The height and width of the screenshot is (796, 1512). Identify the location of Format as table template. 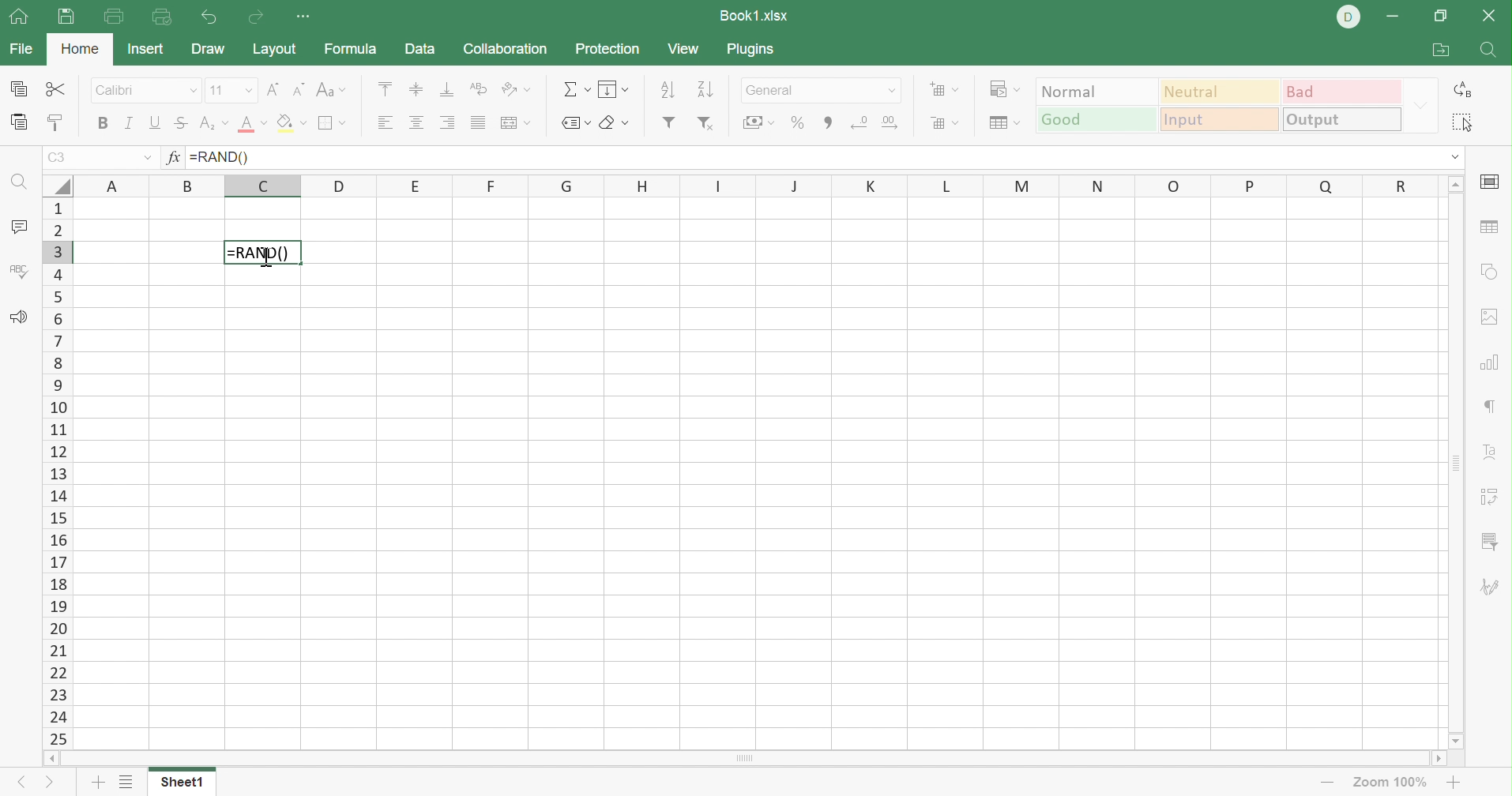
(1005, 123).